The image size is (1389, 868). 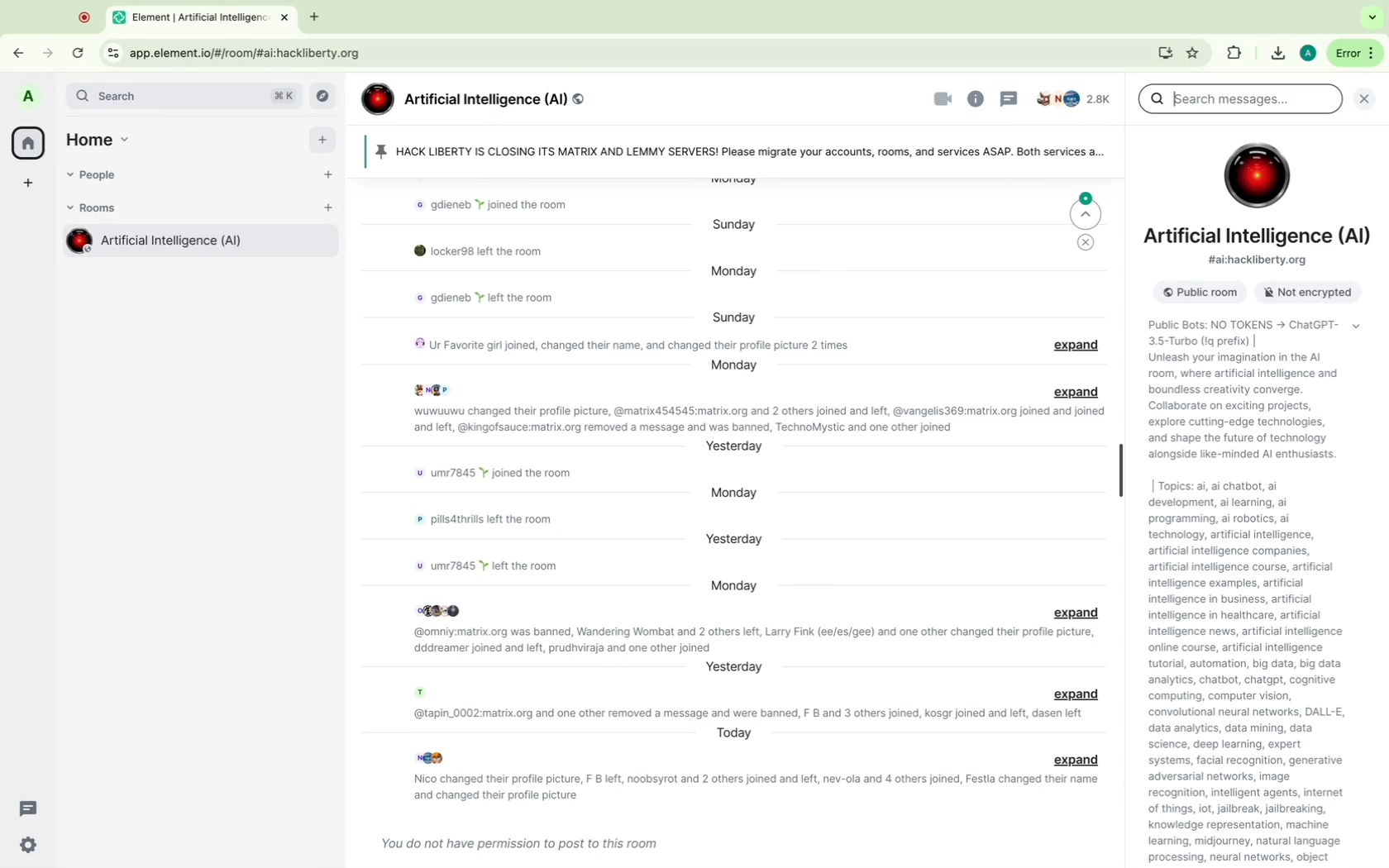 I want to click on day, so click(x=735, y=732).